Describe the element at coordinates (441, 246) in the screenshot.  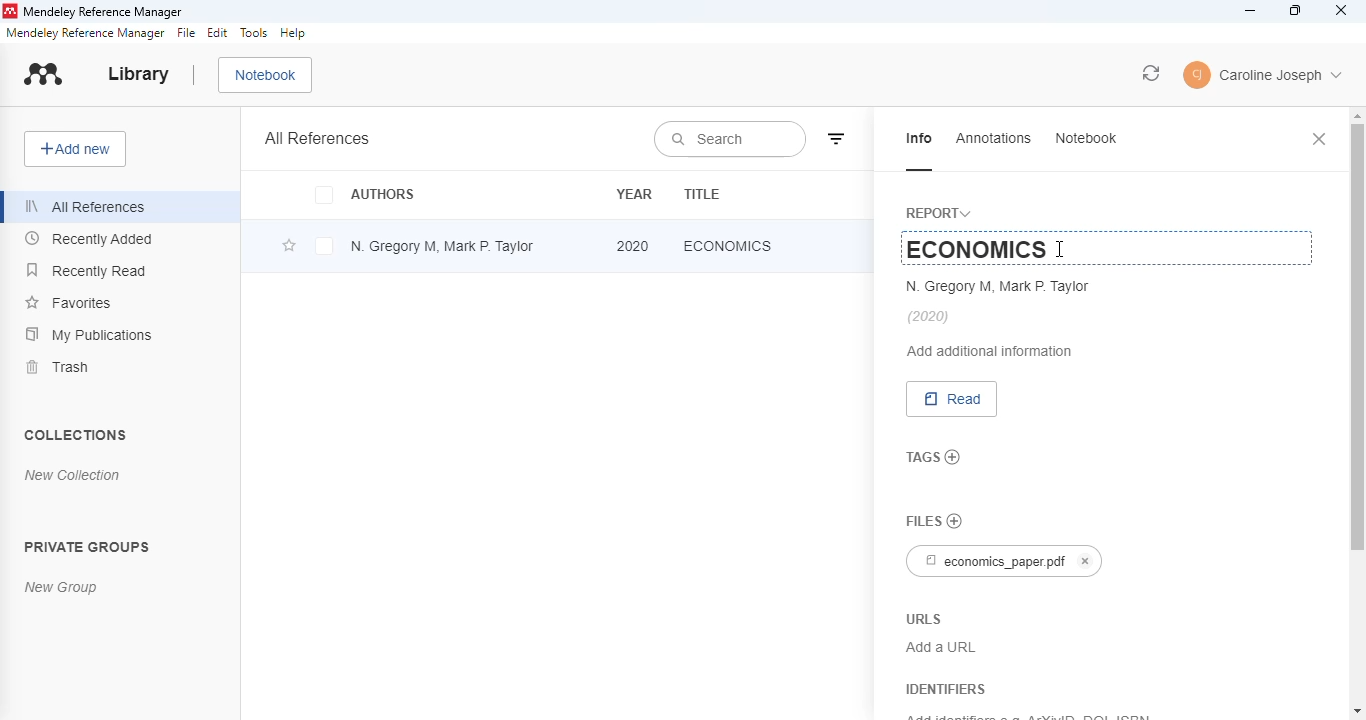
I see `N. Gregory M, Mark P. Taylor` at that location.